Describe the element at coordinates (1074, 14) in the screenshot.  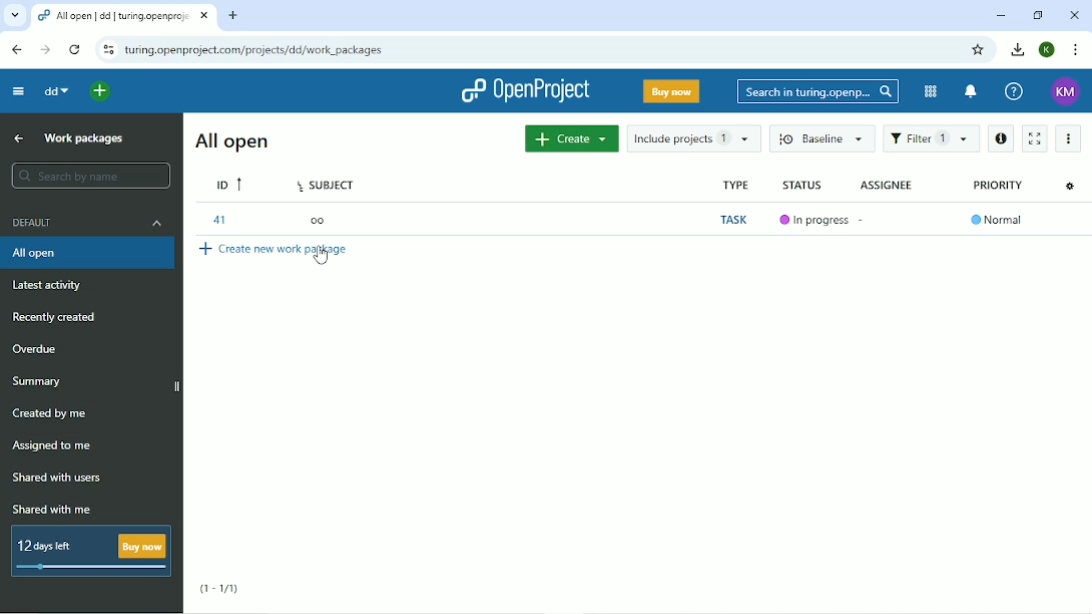
I see `Close` at that location.